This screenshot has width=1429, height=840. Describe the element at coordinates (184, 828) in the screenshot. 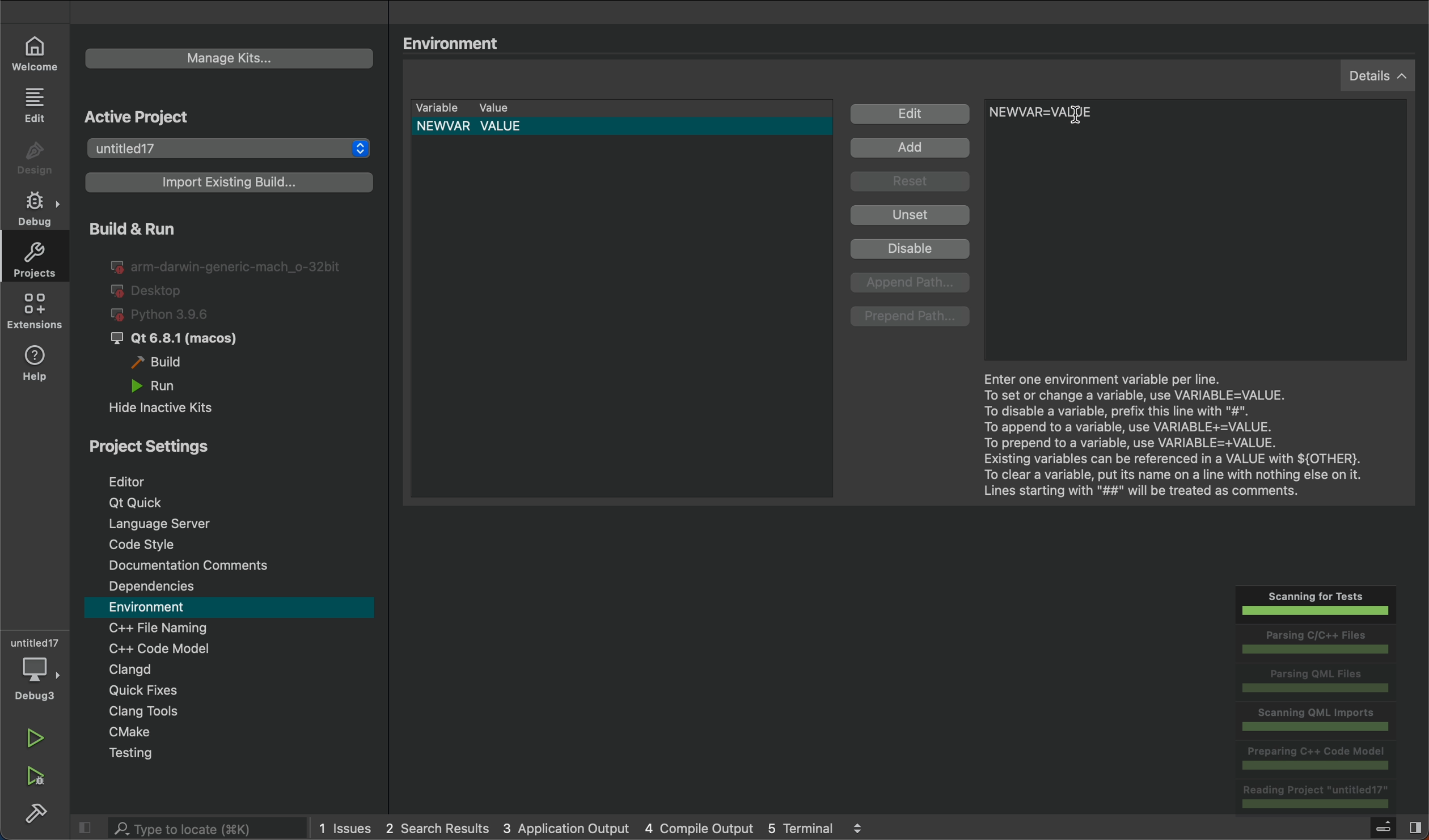

I see `search` at that location.